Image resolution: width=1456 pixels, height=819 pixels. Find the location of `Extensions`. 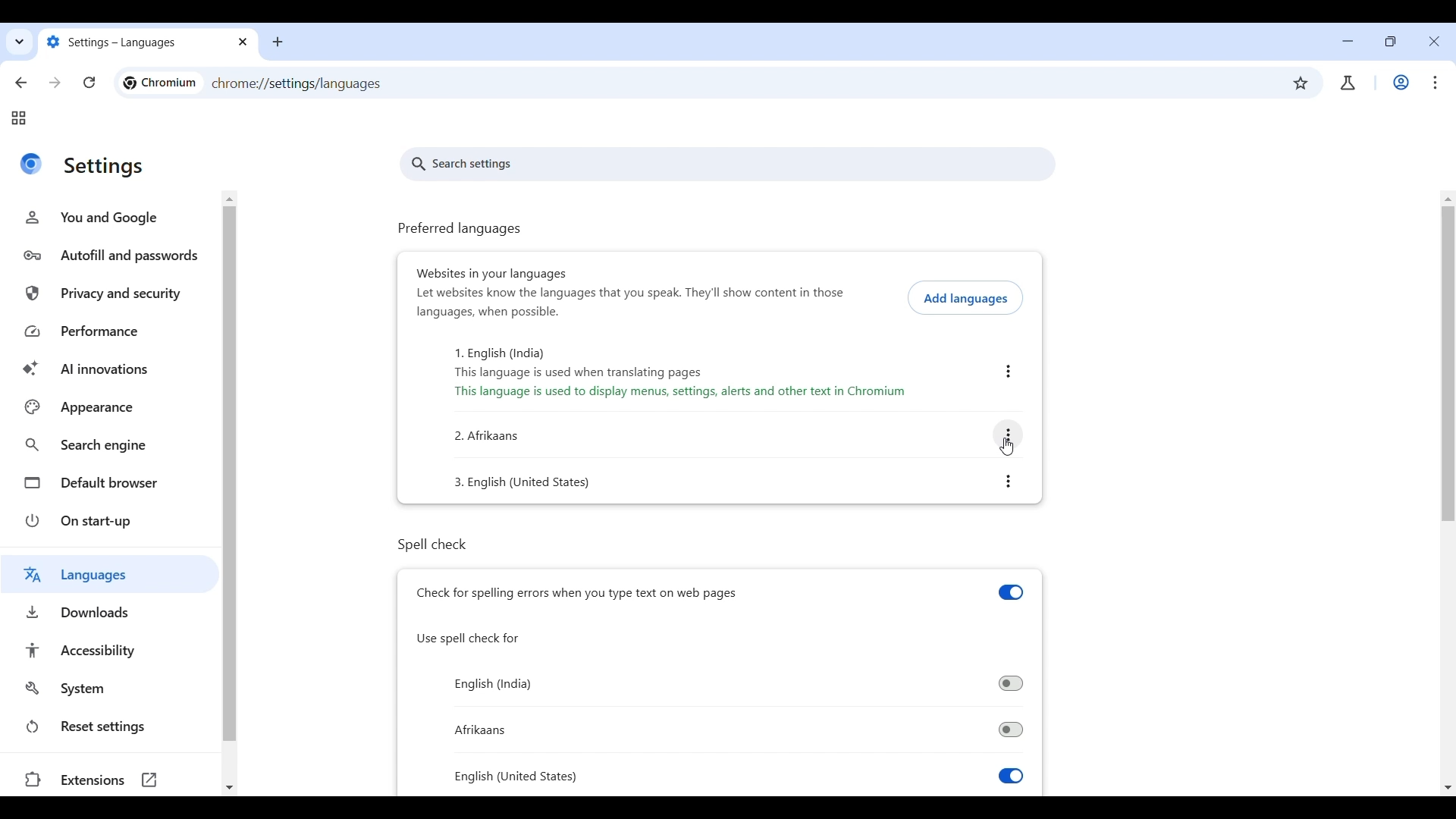

Extensions is located at coordinates (108, 780).